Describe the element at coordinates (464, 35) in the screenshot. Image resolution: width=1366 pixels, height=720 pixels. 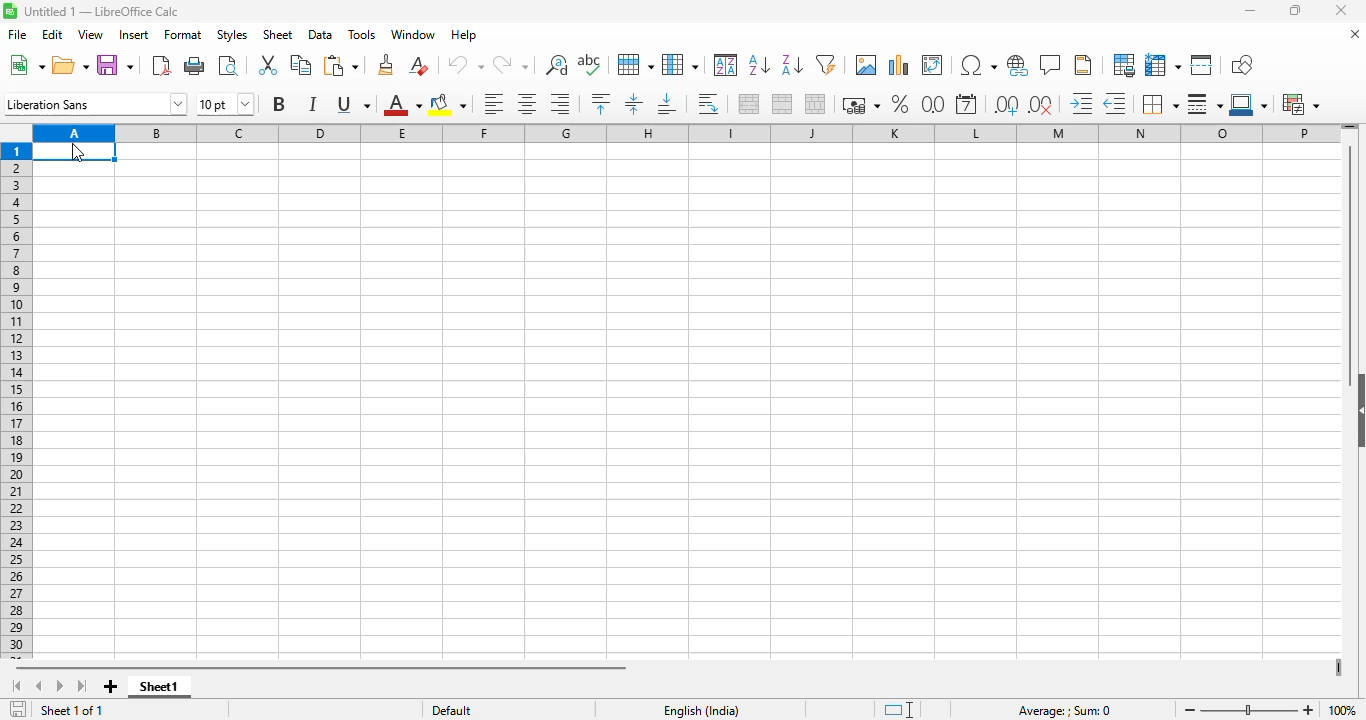
I see `help` at that location.